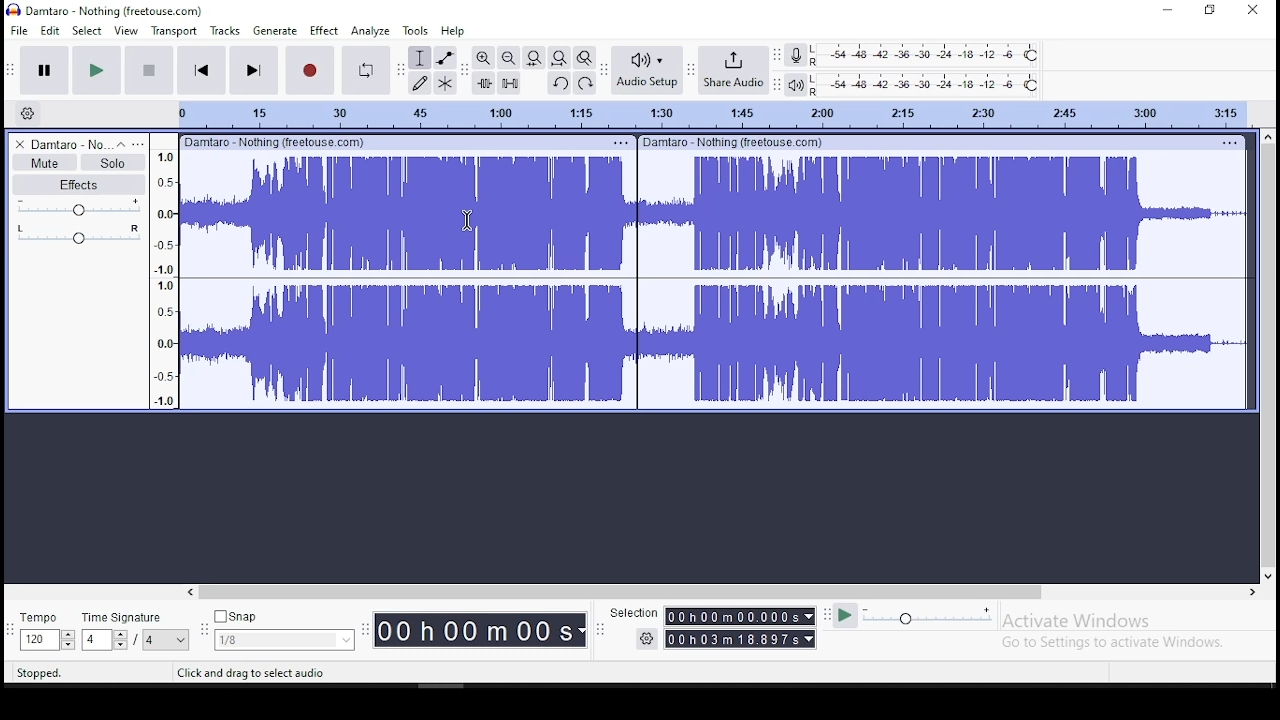 The image size is (1280, 720). I want to click on effect, so click(325, 32).